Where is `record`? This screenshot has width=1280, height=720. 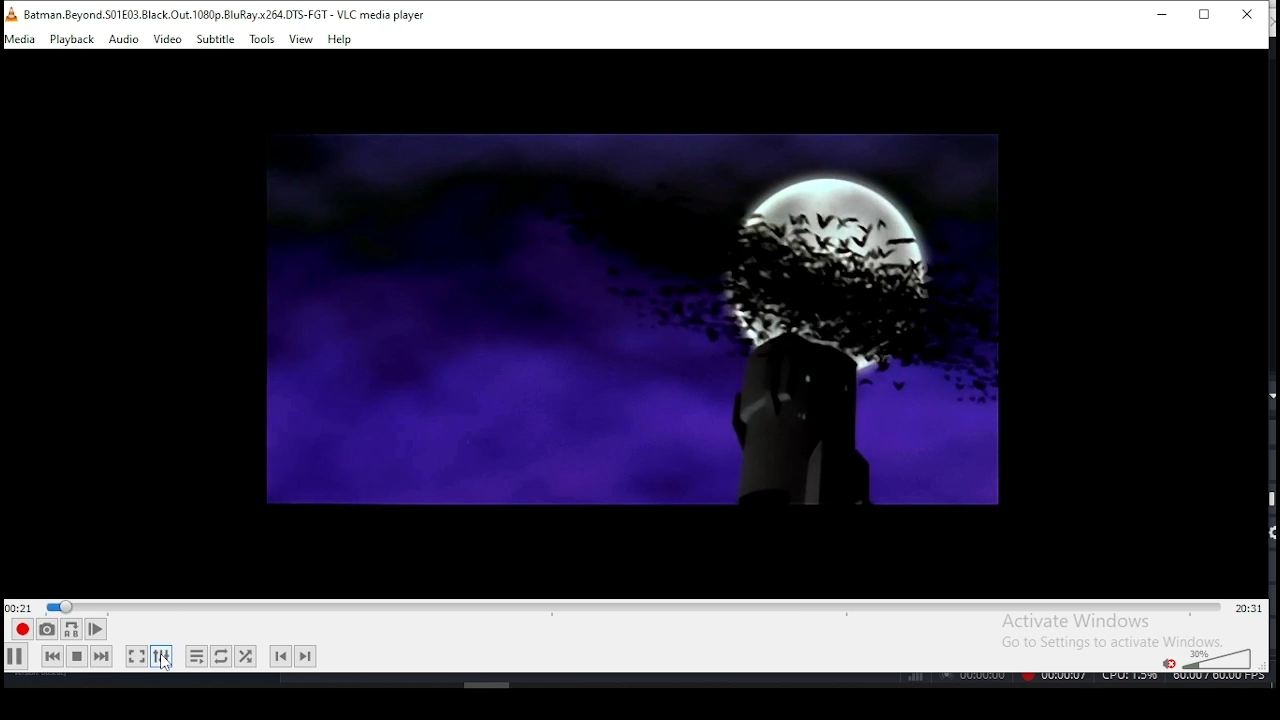 record is located at coordinates (21, 630).